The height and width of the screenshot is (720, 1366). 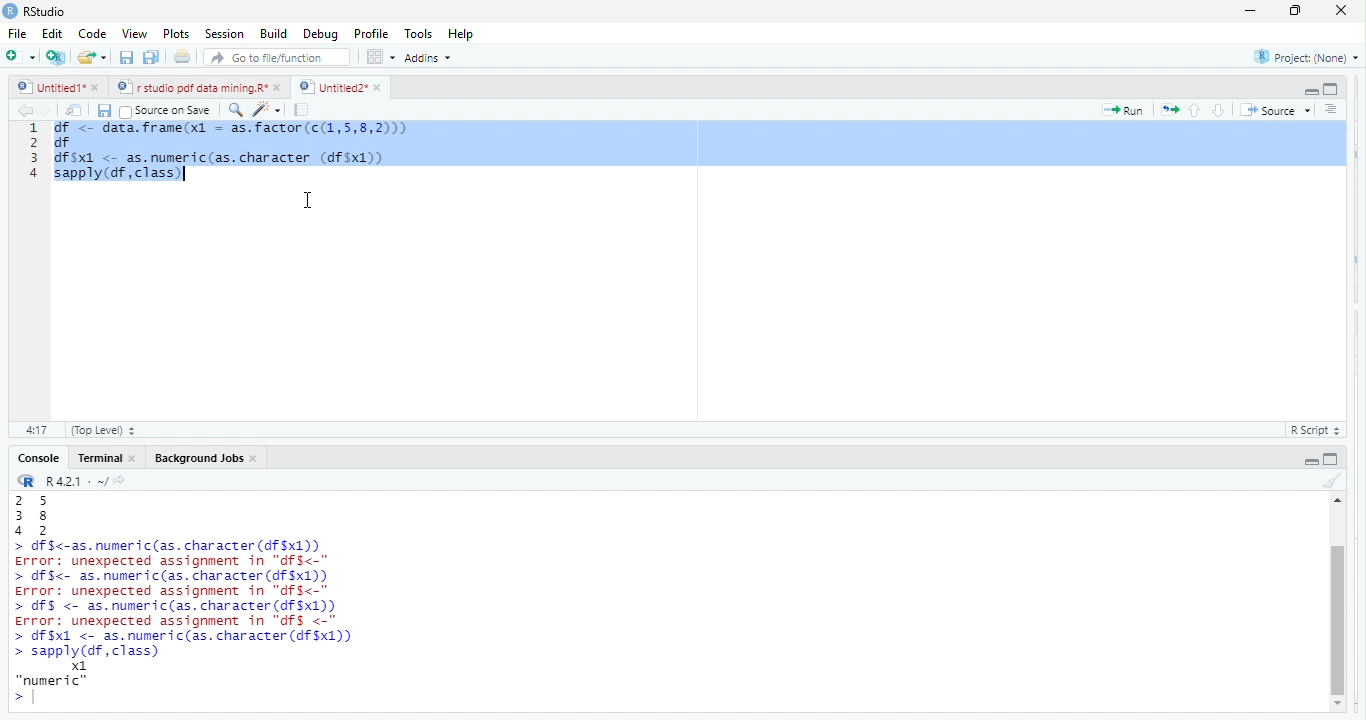 I want to click on r studio logo, so click(x=9, y=10).